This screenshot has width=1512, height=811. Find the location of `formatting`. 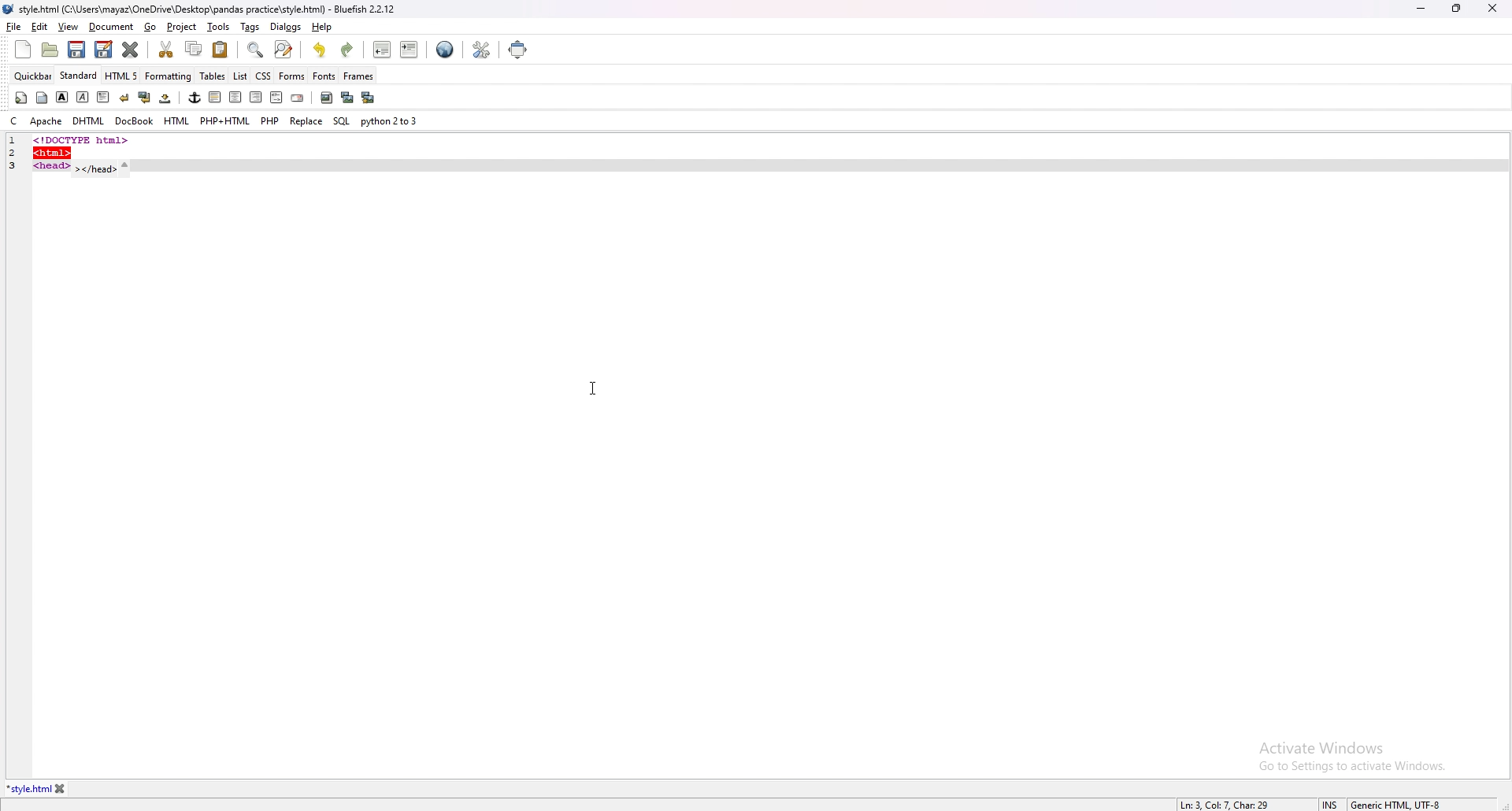

formatting is located at coordinates (169, 76).